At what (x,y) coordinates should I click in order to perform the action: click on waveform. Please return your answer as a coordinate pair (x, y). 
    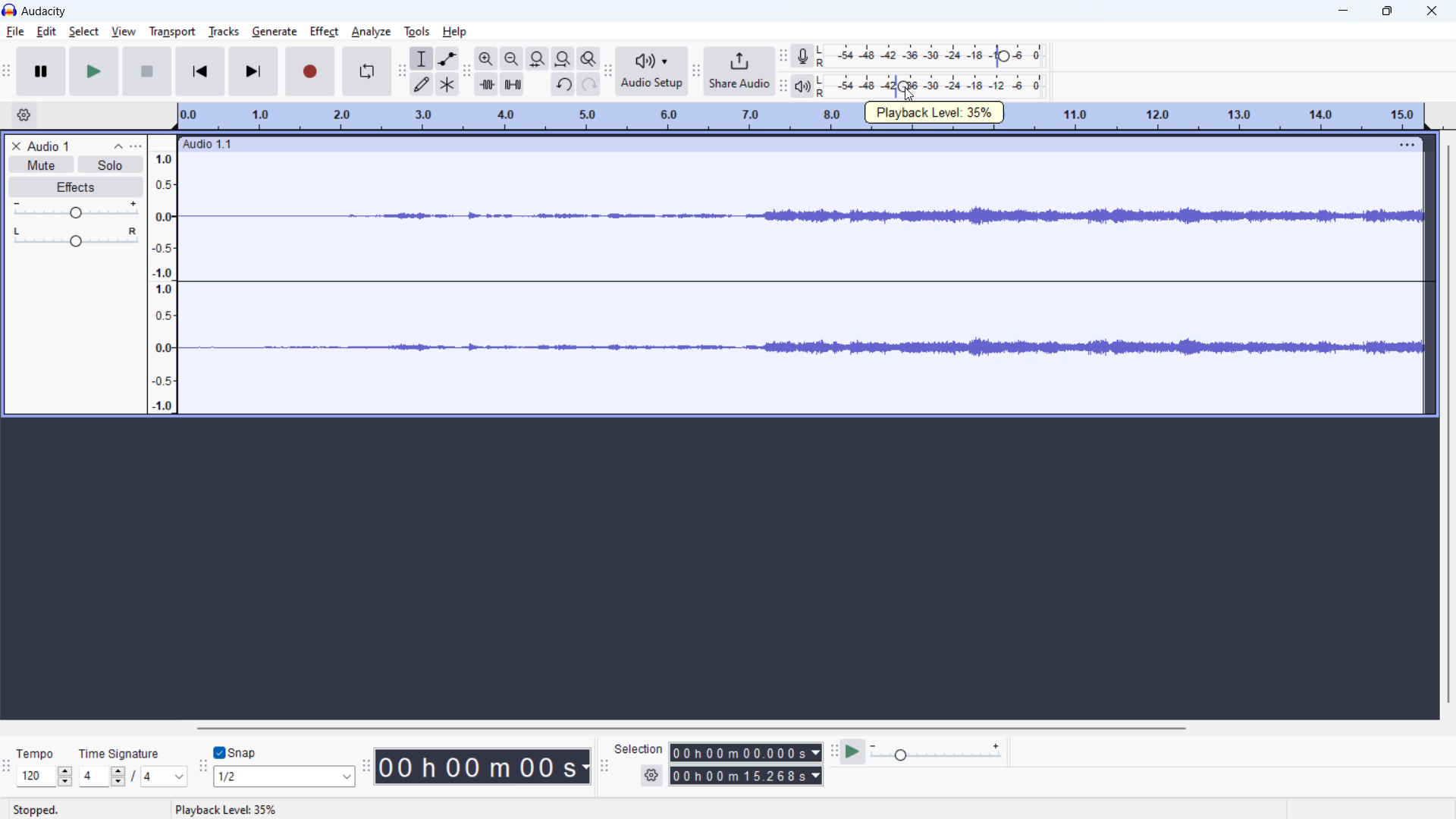
    Looking at the image, I should click on (802, 350).